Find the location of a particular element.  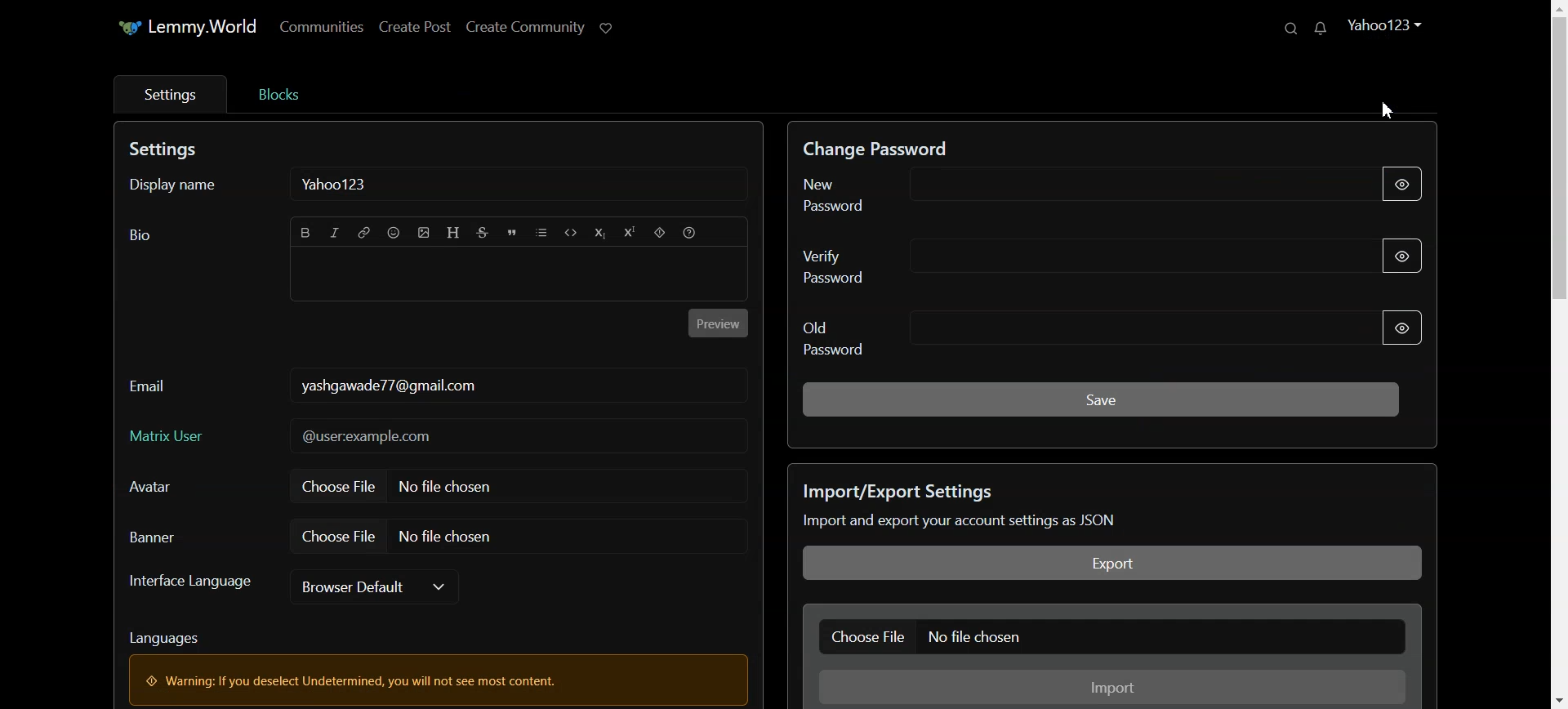

Choose file is located at coordinates (520, 536).